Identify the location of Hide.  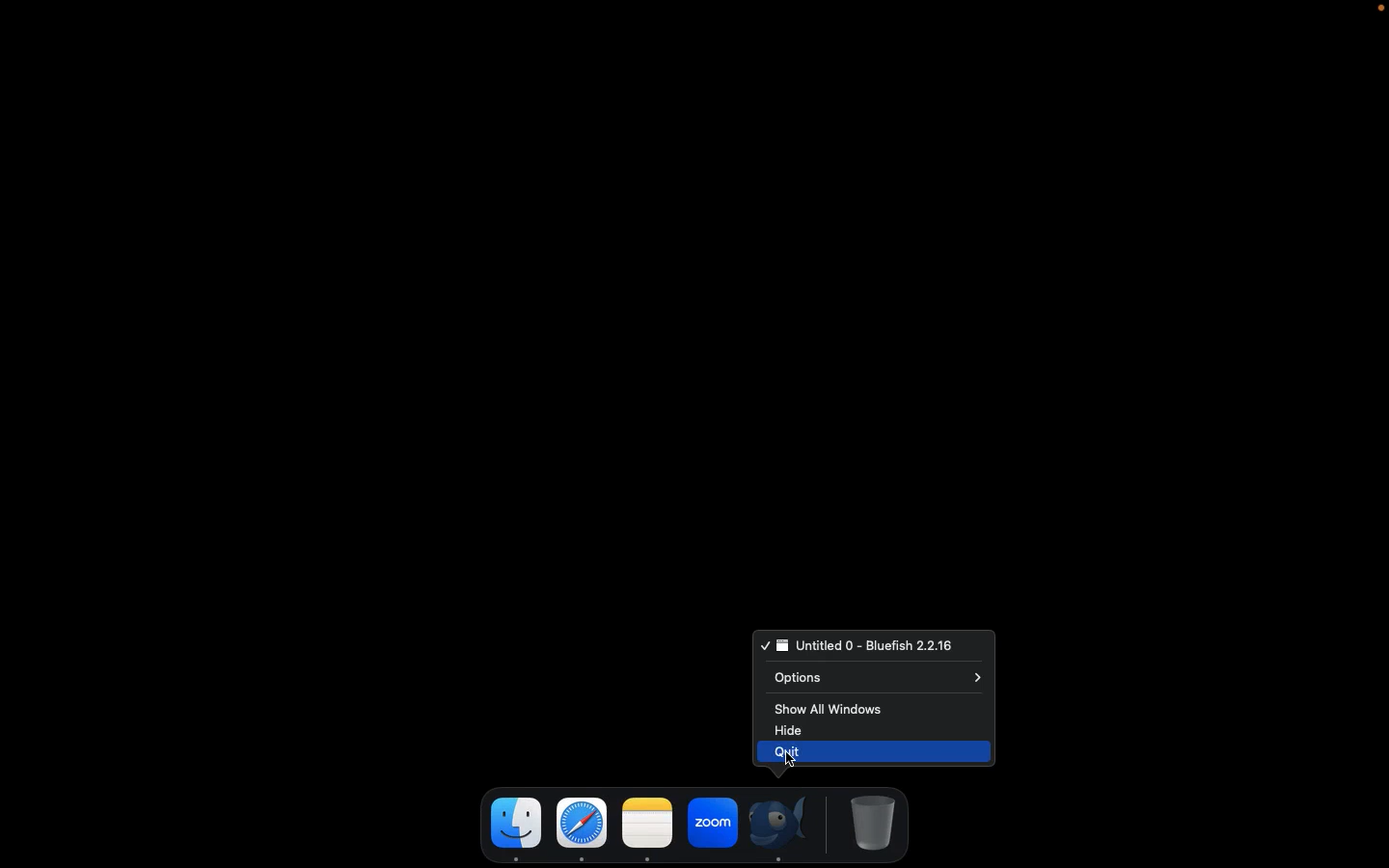
(788, 730).